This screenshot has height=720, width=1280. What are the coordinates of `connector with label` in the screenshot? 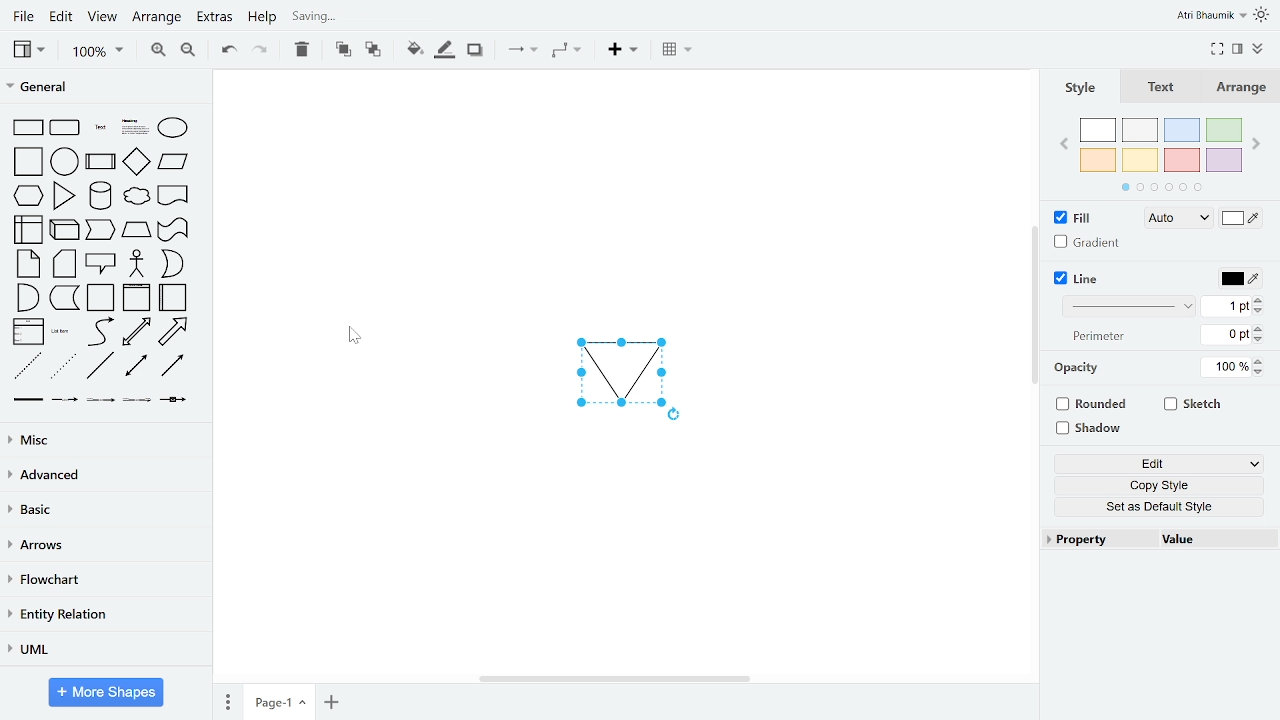 It's located at (63, 401).